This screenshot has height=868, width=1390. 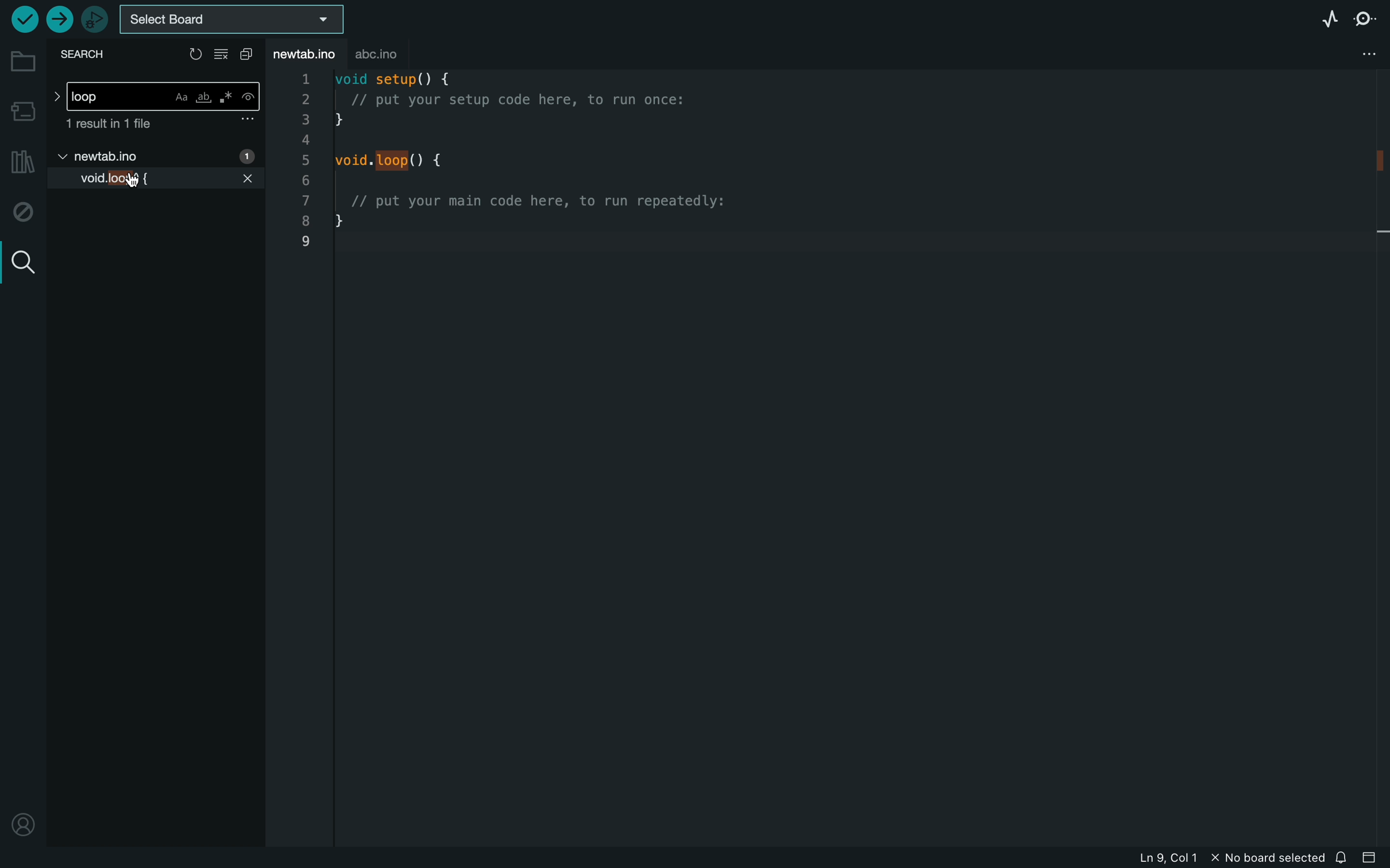 What do you see at coordinates (308, 52) in the screenshot?
I see `file tab` at bounding box center [308, 52].